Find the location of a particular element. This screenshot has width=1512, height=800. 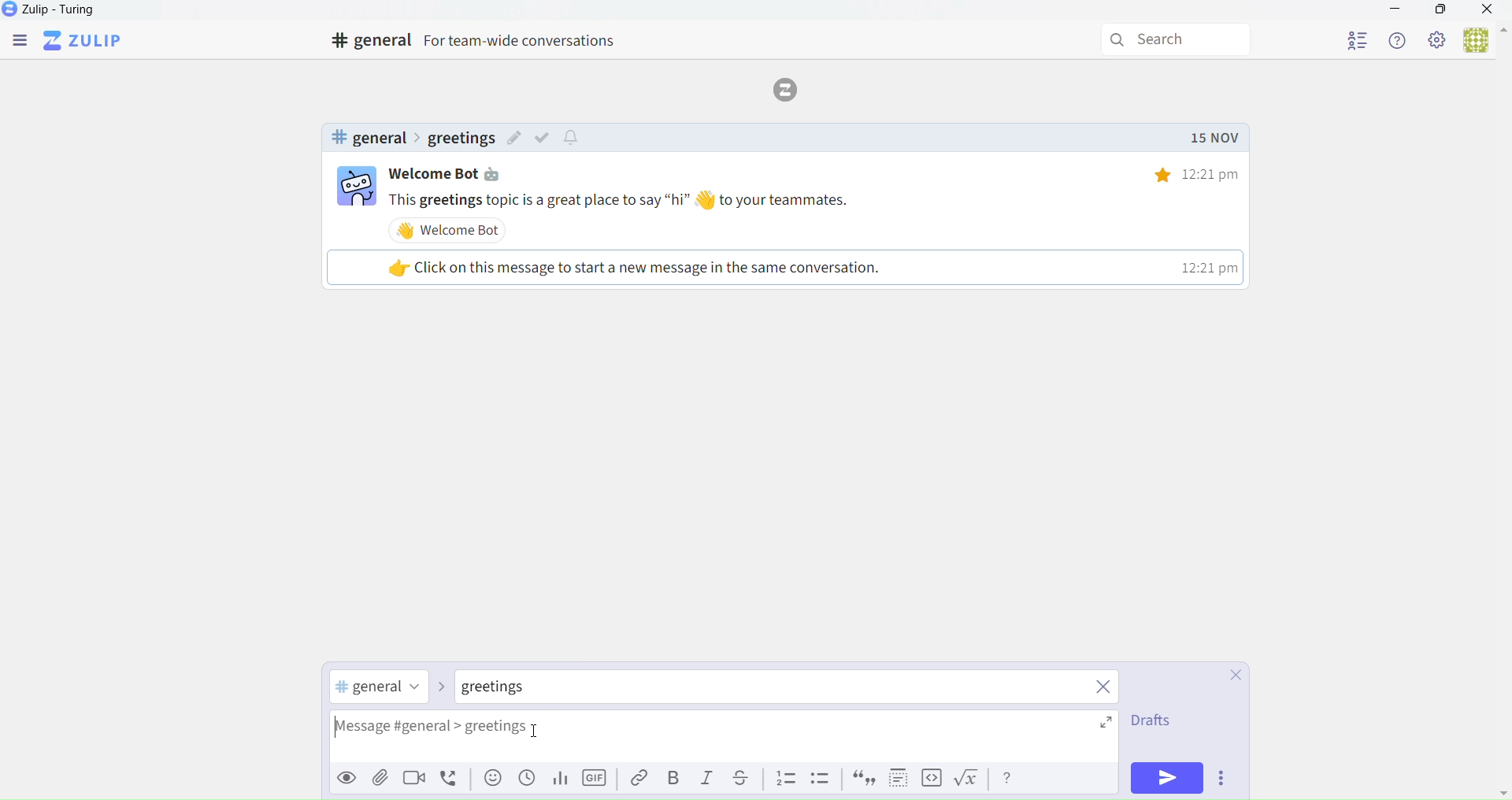

close is located at coordinates (1105, 689).